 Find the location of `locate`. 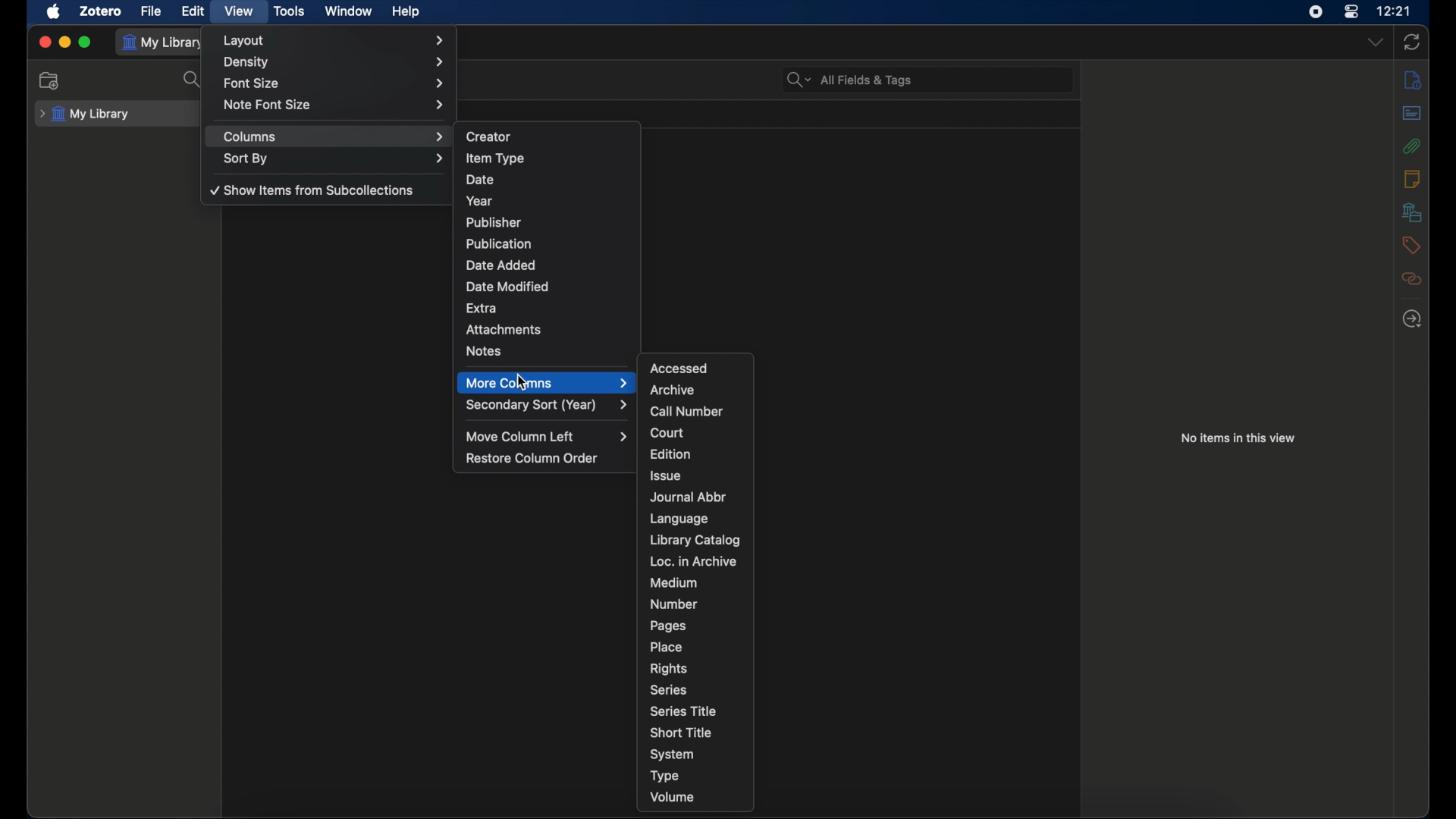

locate is located at coordinates (1412, 320).